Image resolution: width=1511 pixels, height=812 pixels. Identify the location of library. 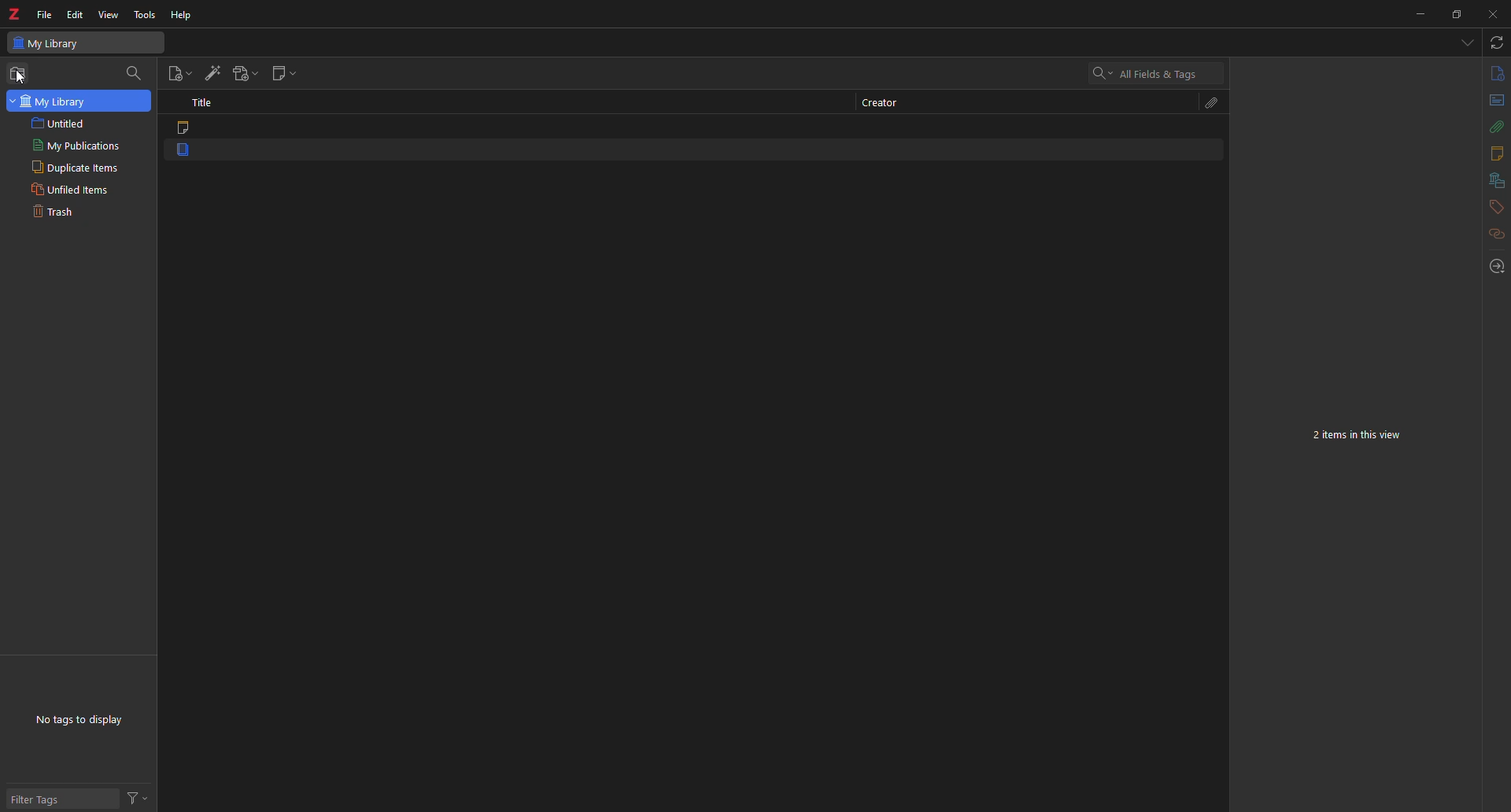
(1491, 181).